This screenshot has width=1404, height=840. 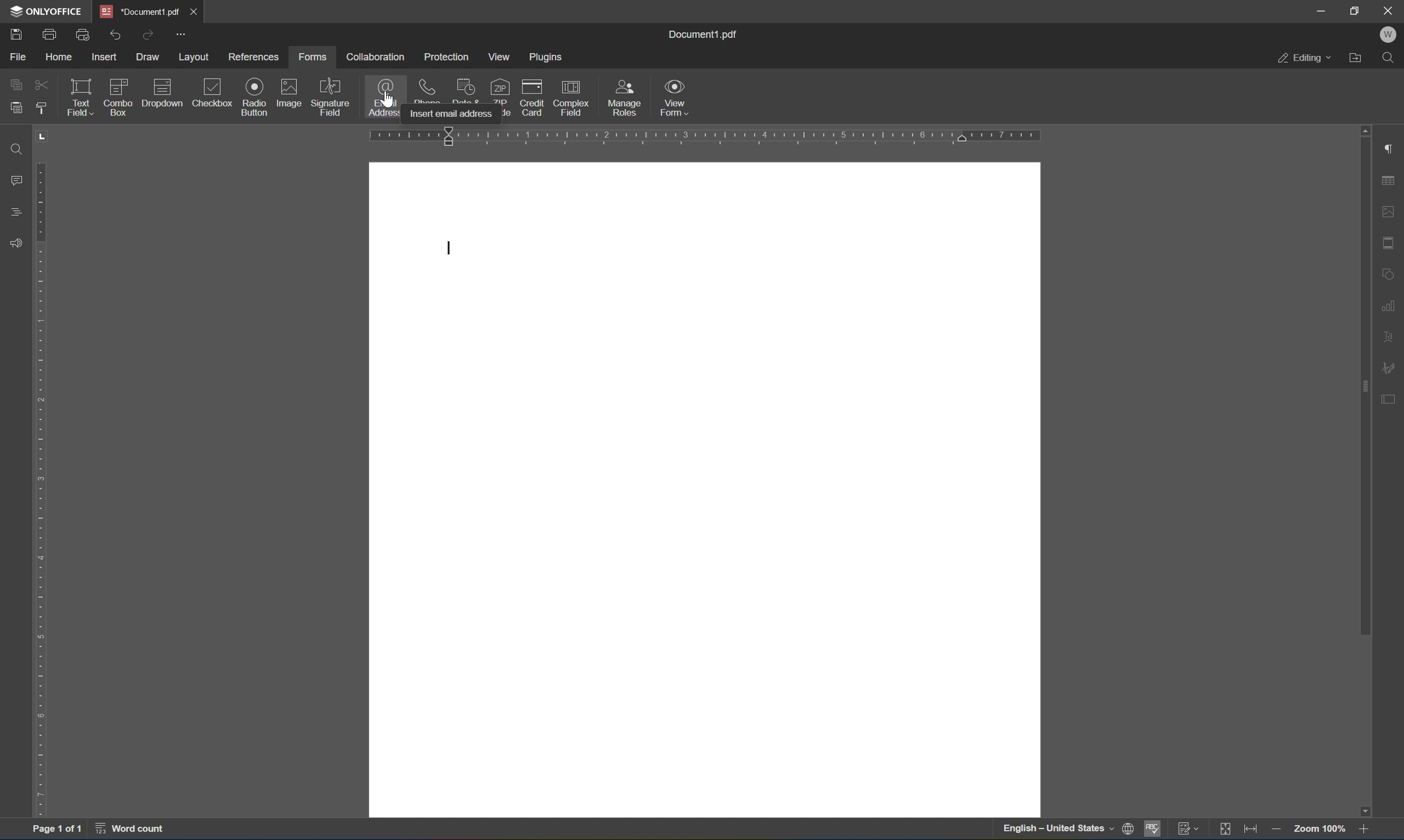 What do you see at coordinates (193, 58) in the screenshot?
I see `layout` at bounding box center [193, 58].